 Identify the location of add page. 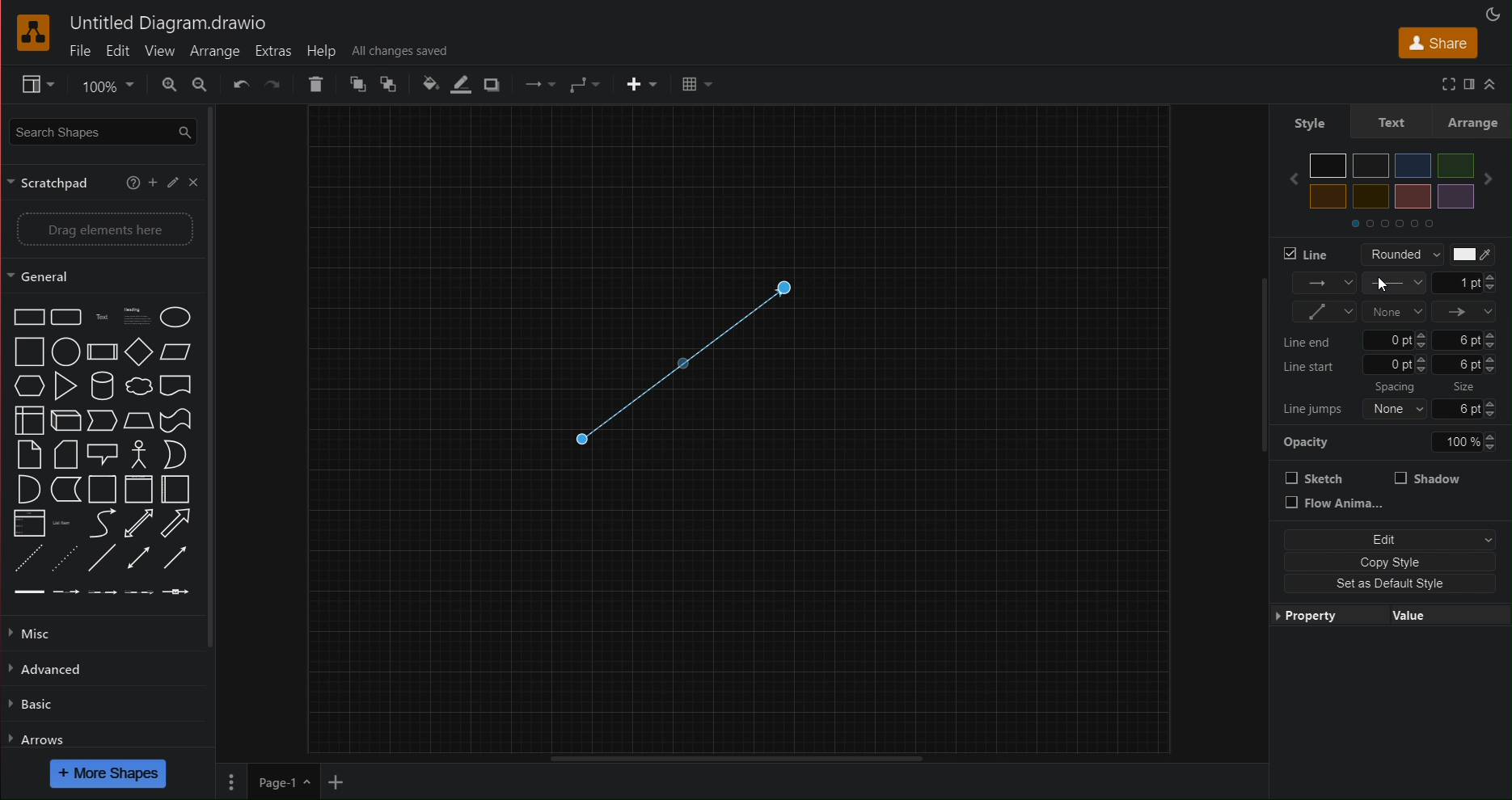
(335, 784).